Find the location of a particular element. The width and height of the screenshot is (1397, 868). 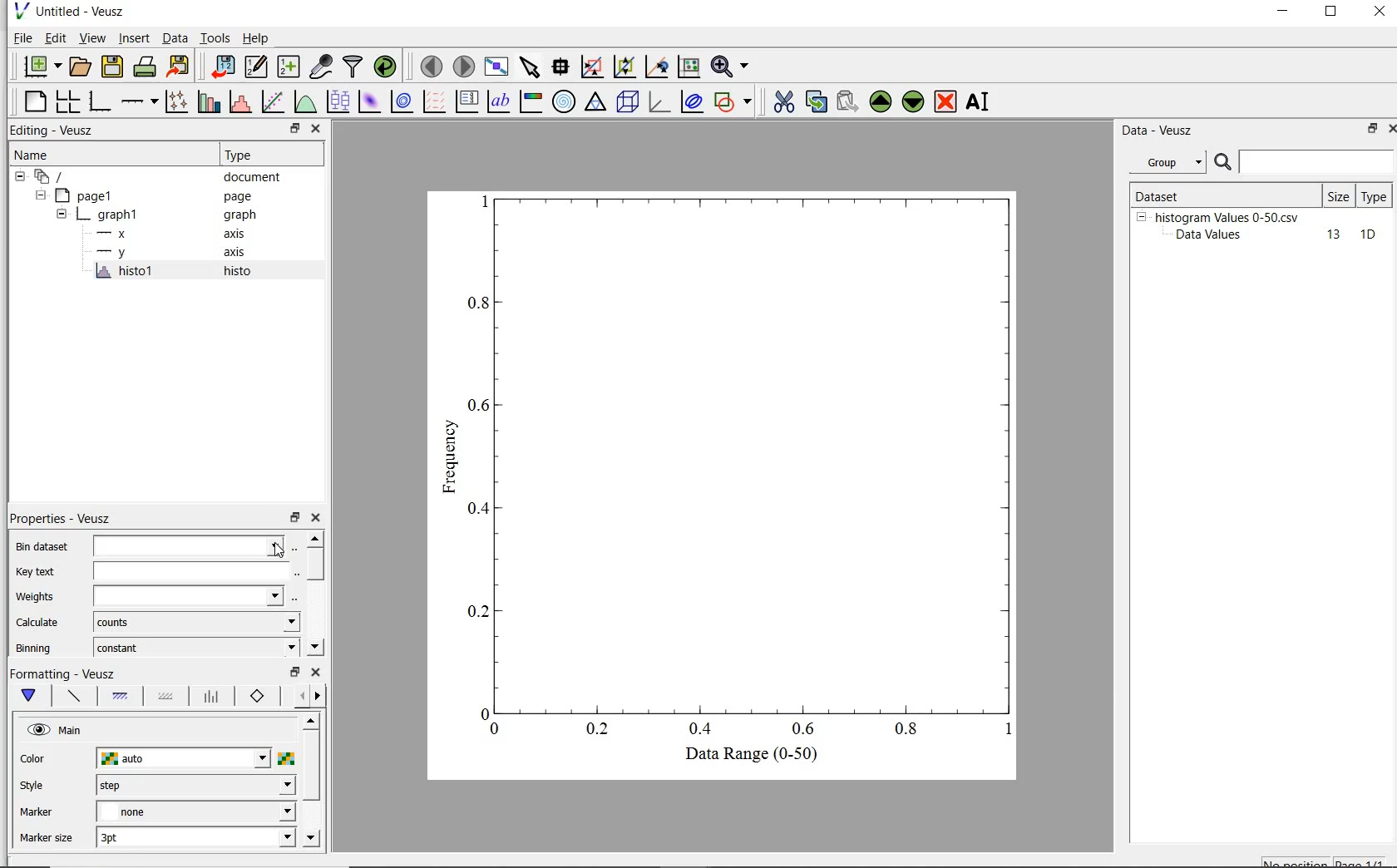

vertical scrollbar is located at coordinates (311, 767).